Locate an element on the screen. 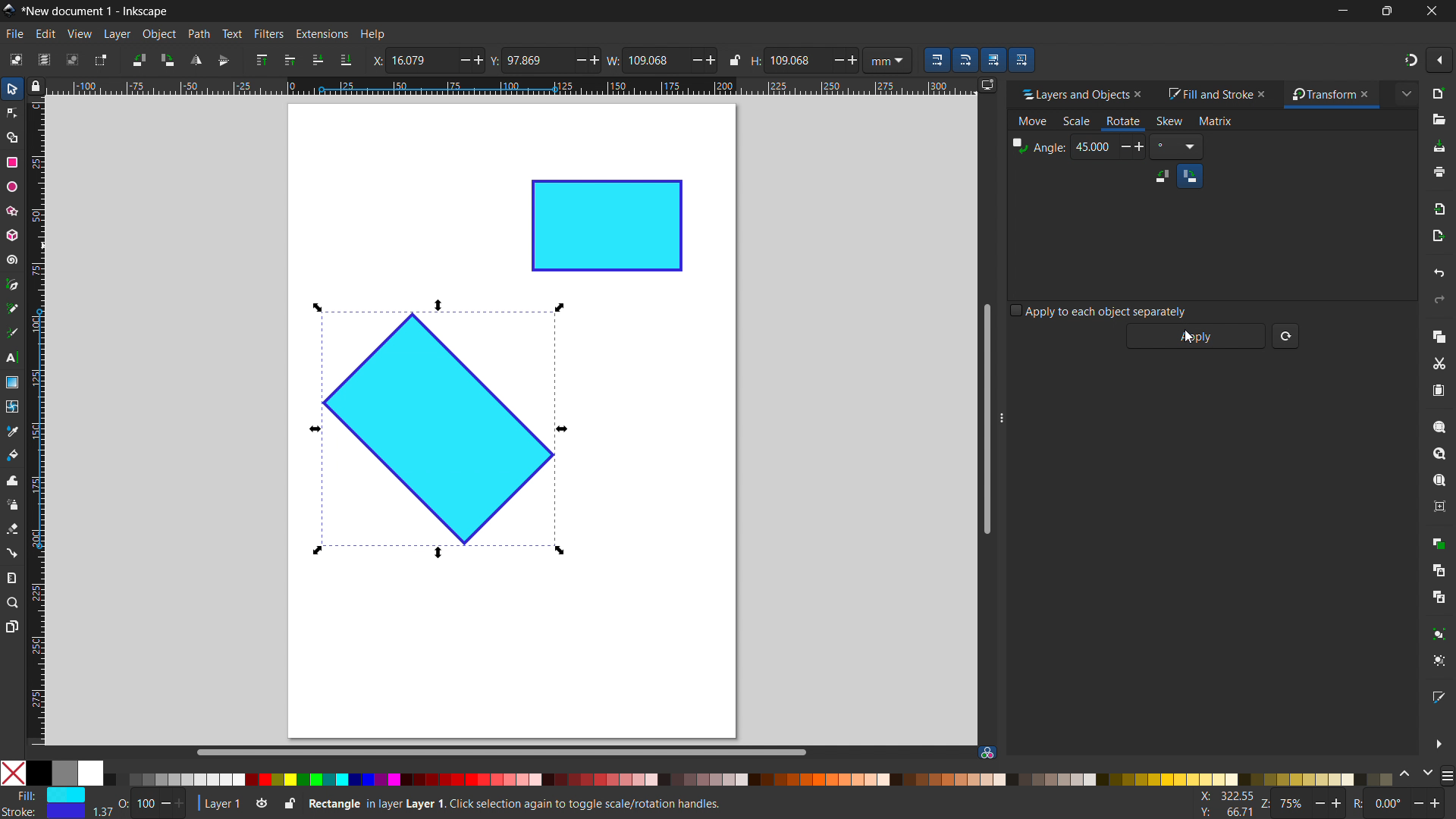  text tool is located at coordinates (12, 359).